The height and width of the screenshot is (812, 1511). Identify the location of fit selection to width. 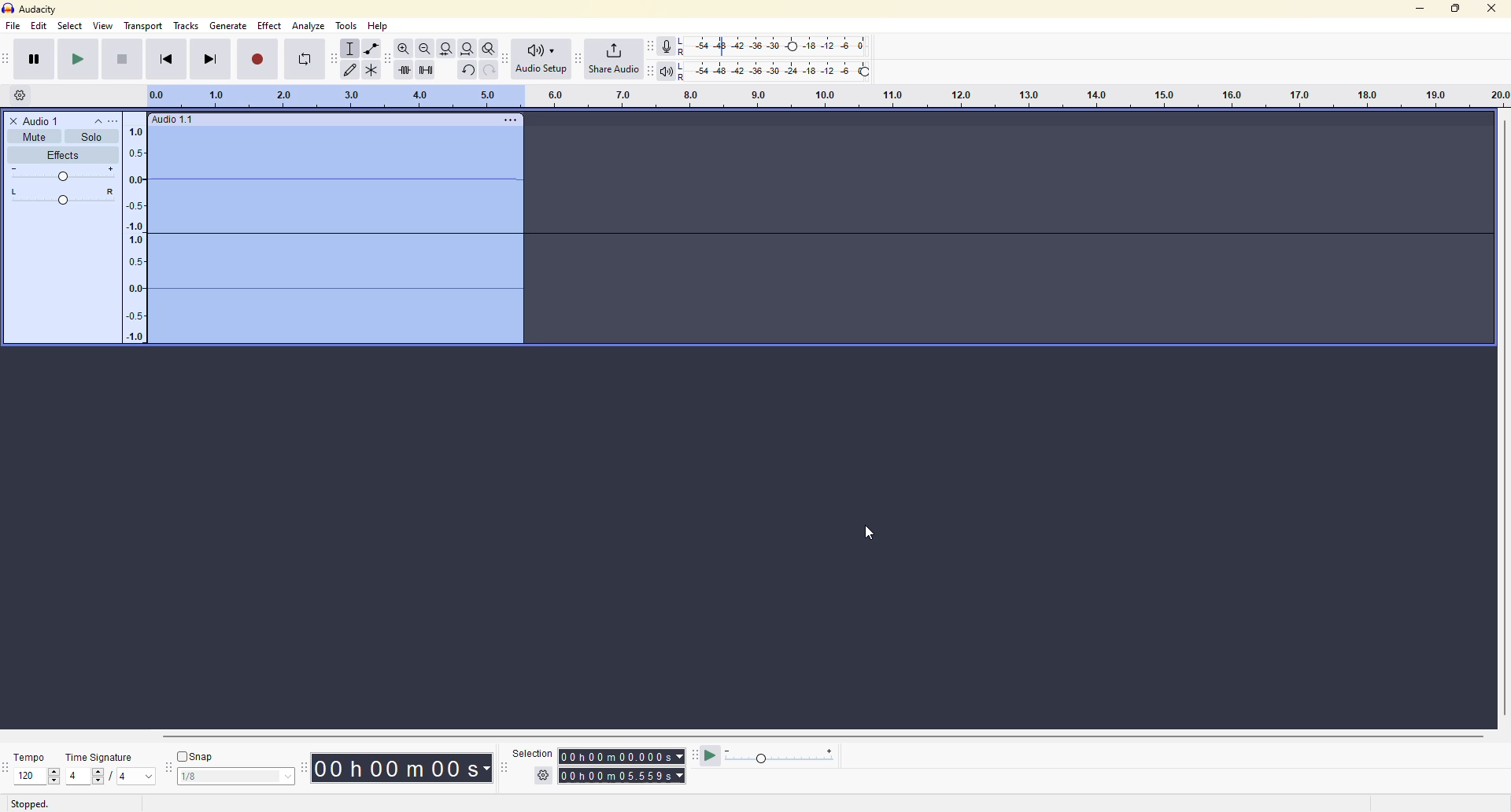
(446, 48).